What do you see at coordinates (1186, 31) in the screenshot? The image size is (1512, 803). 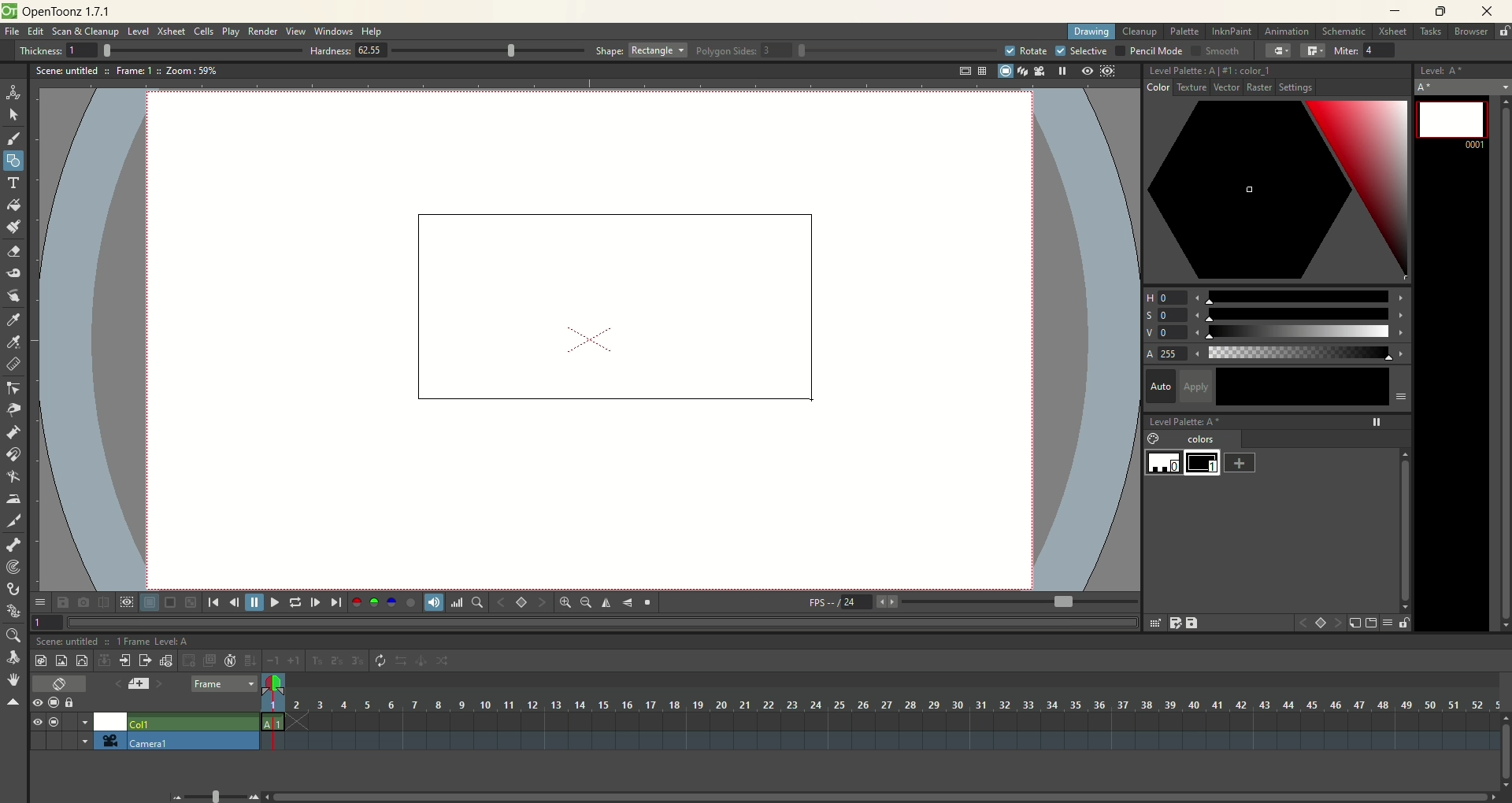 I see `palette` at bounding box center [1186, 31].